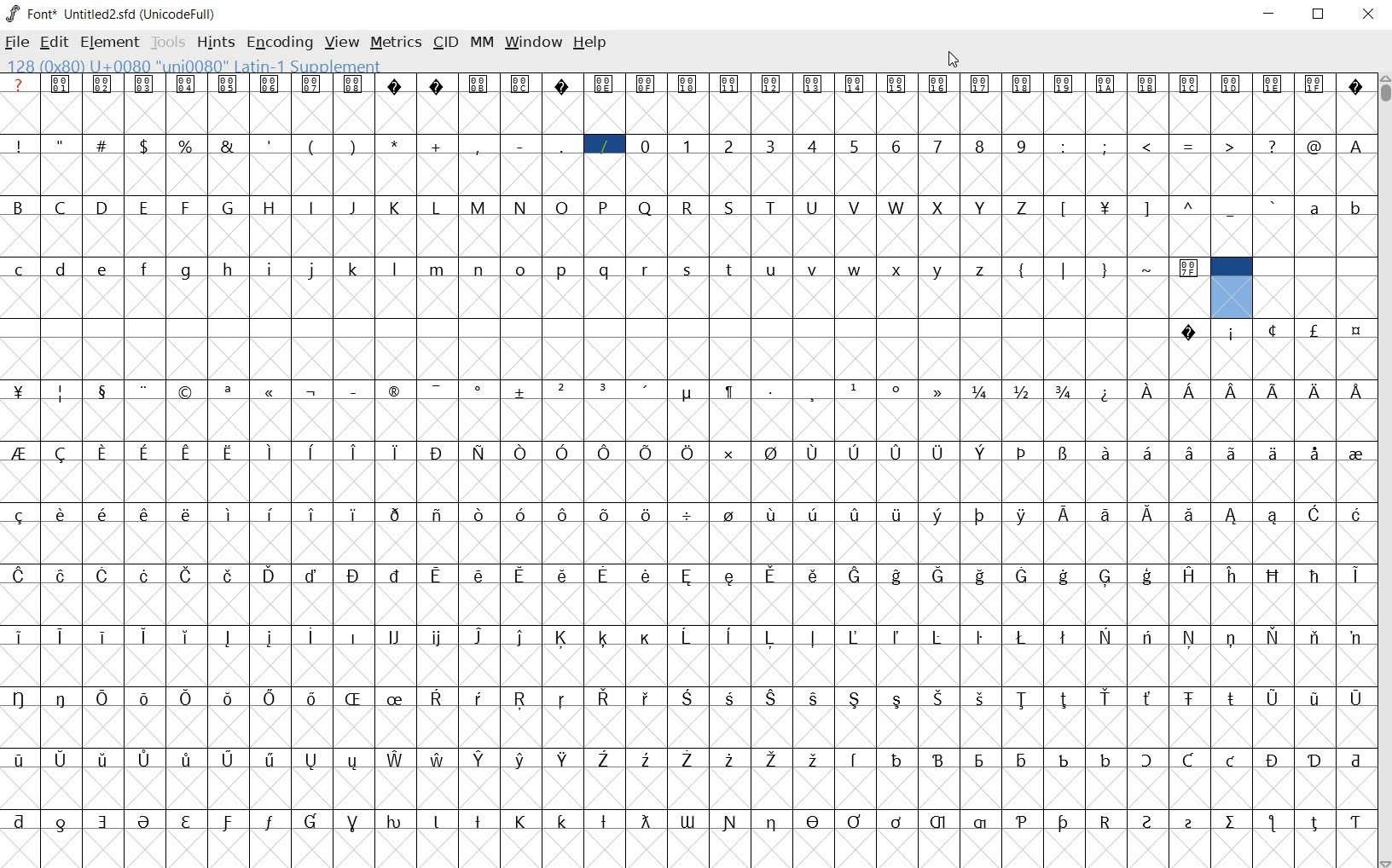 This screenshot has height=868, width=1392. I want to click on empty spaces, so click(585, 329).